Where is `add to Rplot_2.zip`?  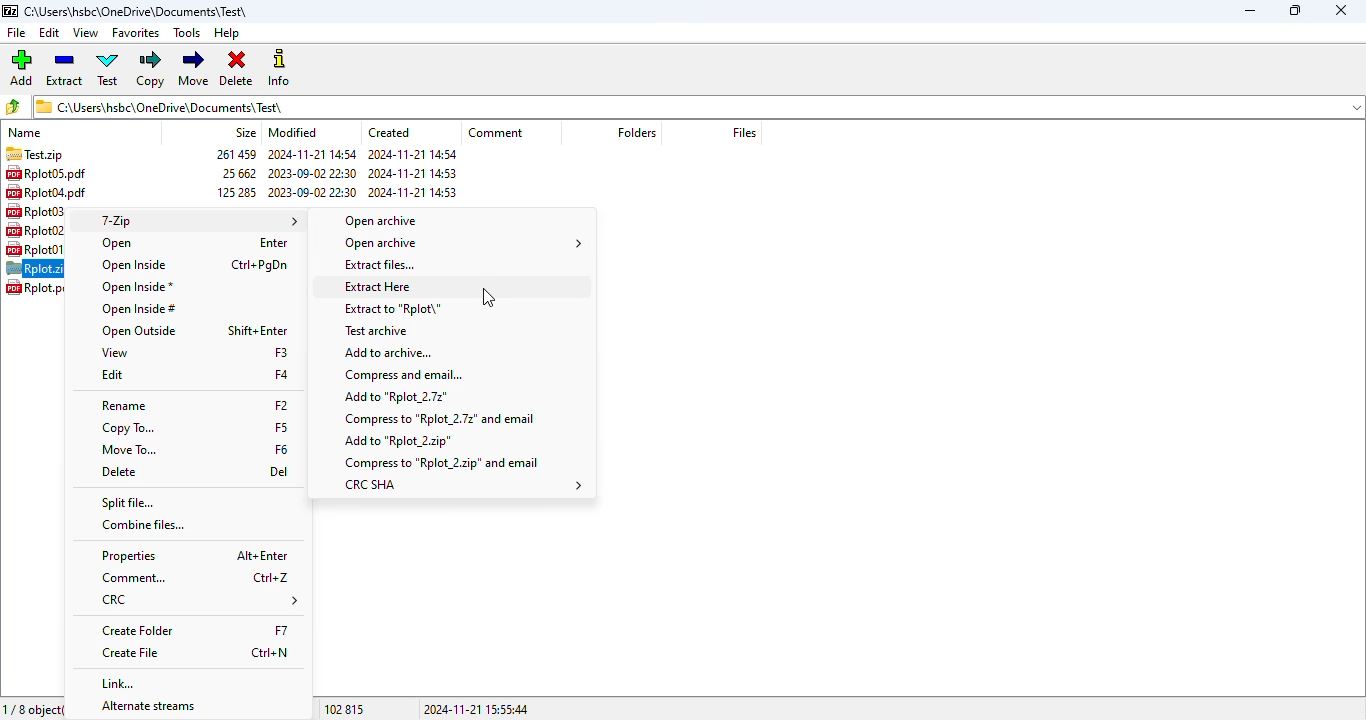
add to Rplot_2.zip is located at coordinates (400, 441).